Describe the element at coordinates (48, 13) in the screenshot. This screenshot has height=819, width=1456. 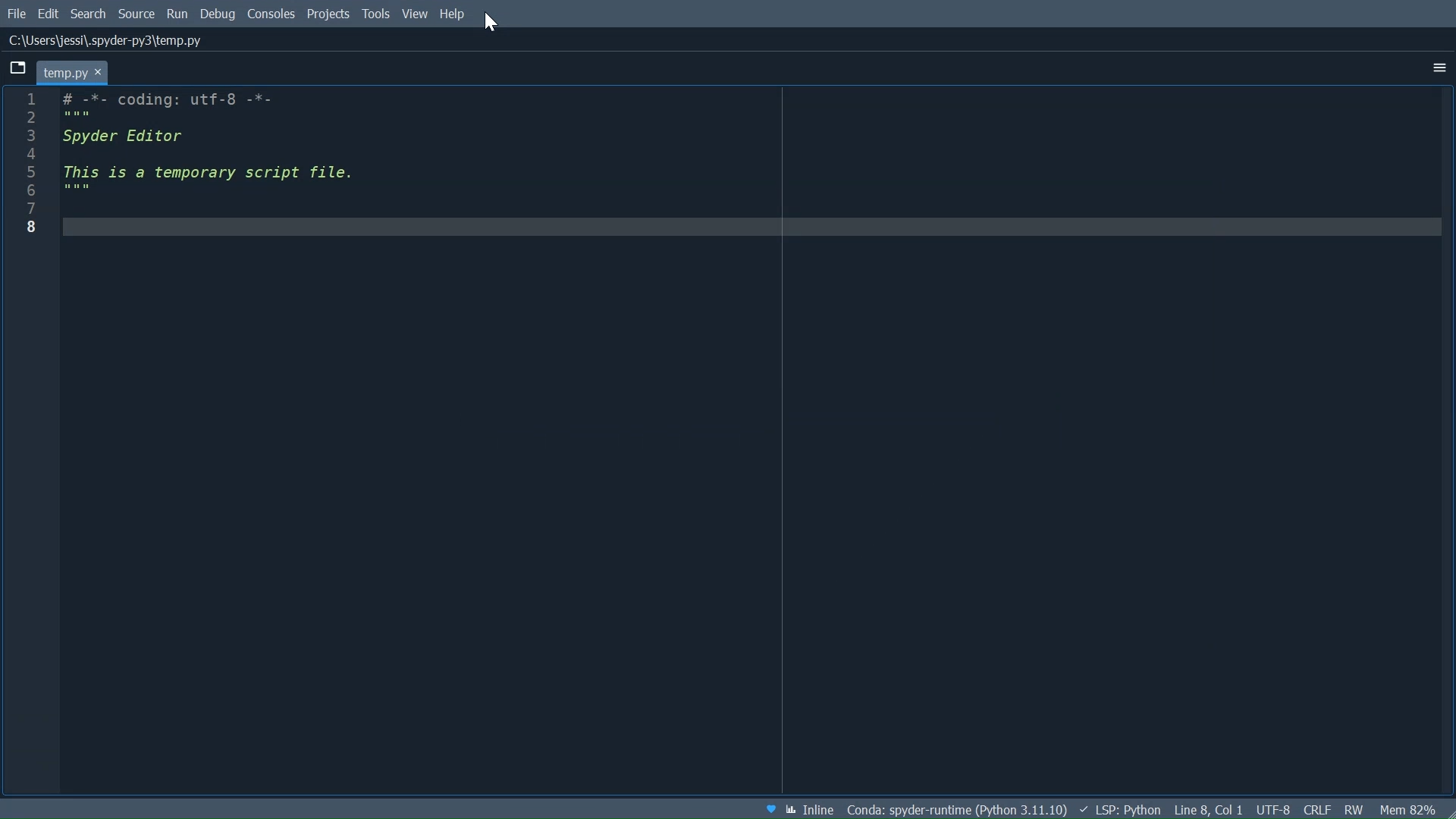
I see `Edit` at that location.